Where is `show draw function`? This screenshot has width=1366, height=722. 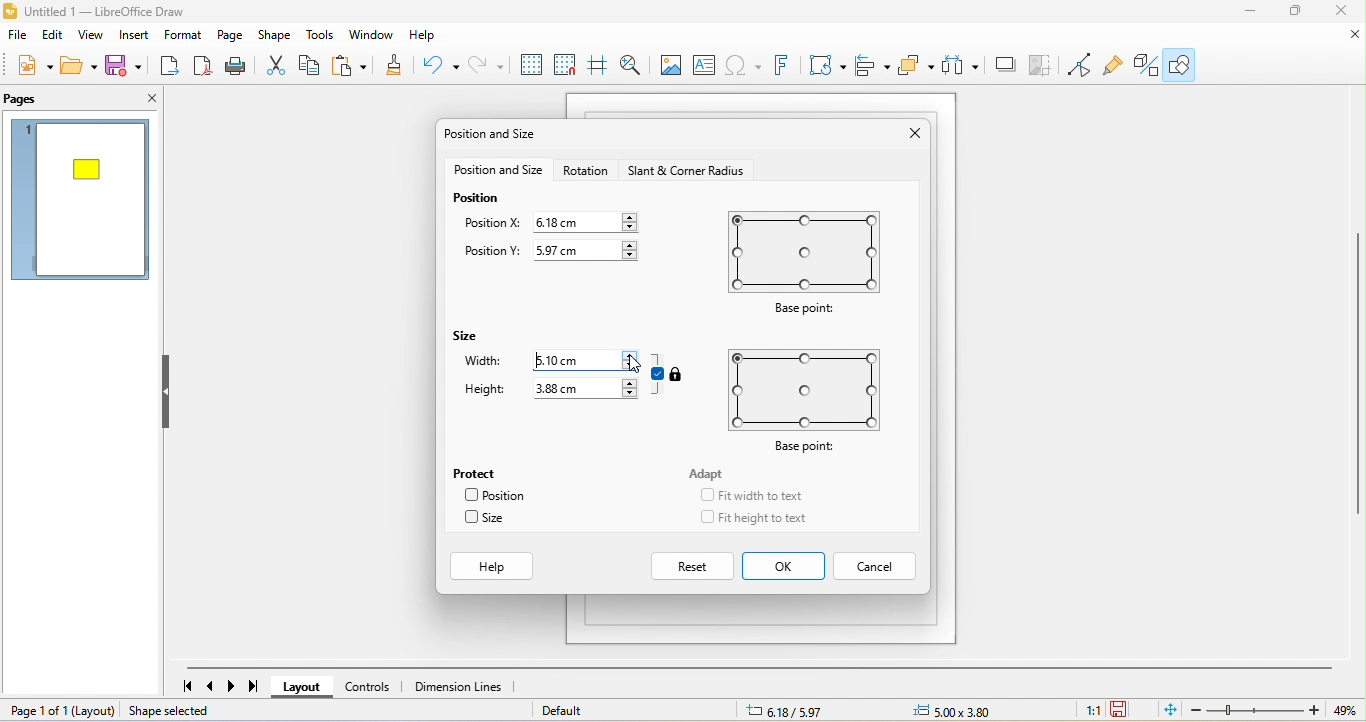 show draw function is located at coordinates (1183, 66).